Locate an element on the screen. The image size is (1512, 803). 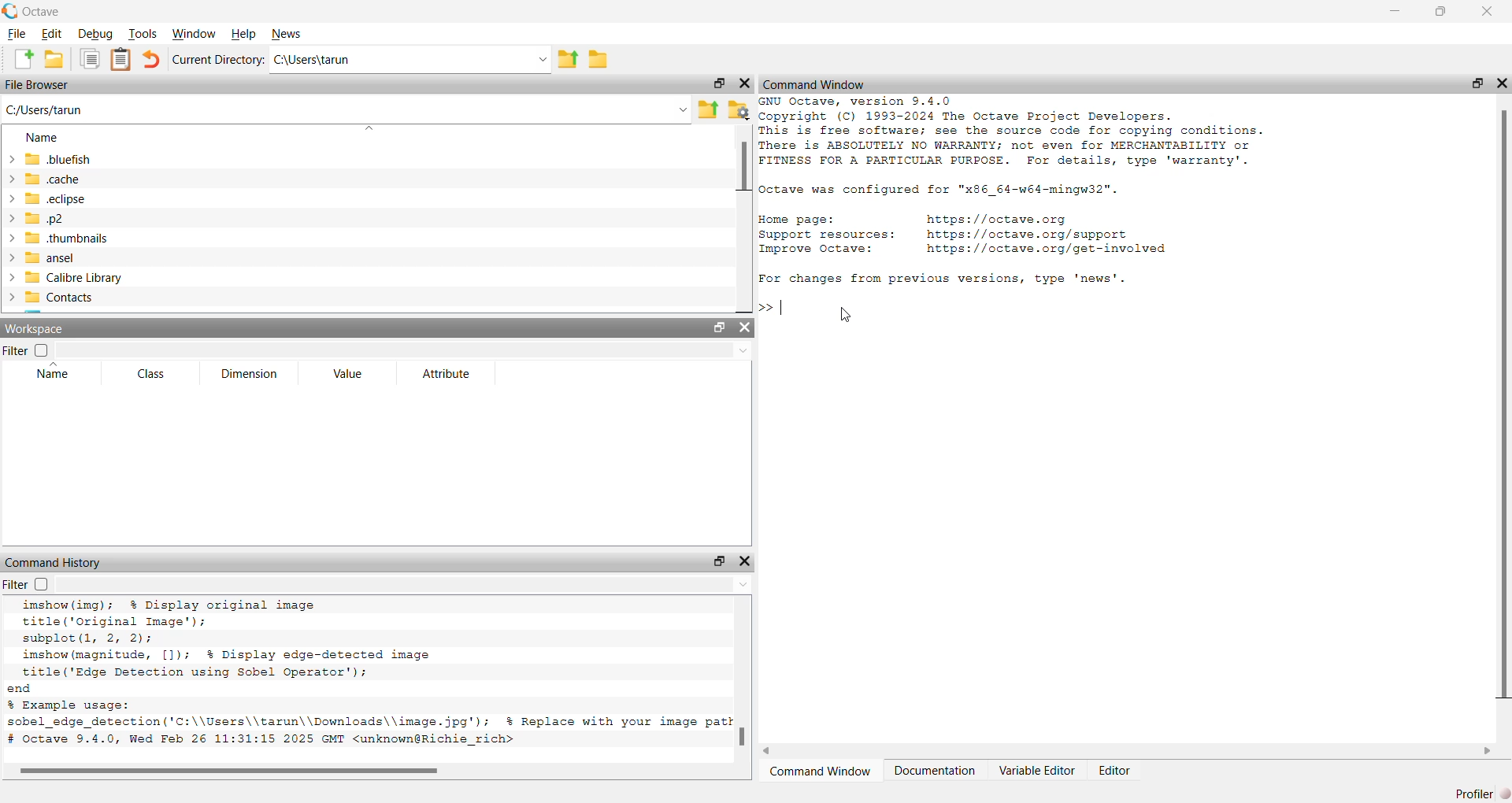
Command Window is located at coordinates (815, 83).